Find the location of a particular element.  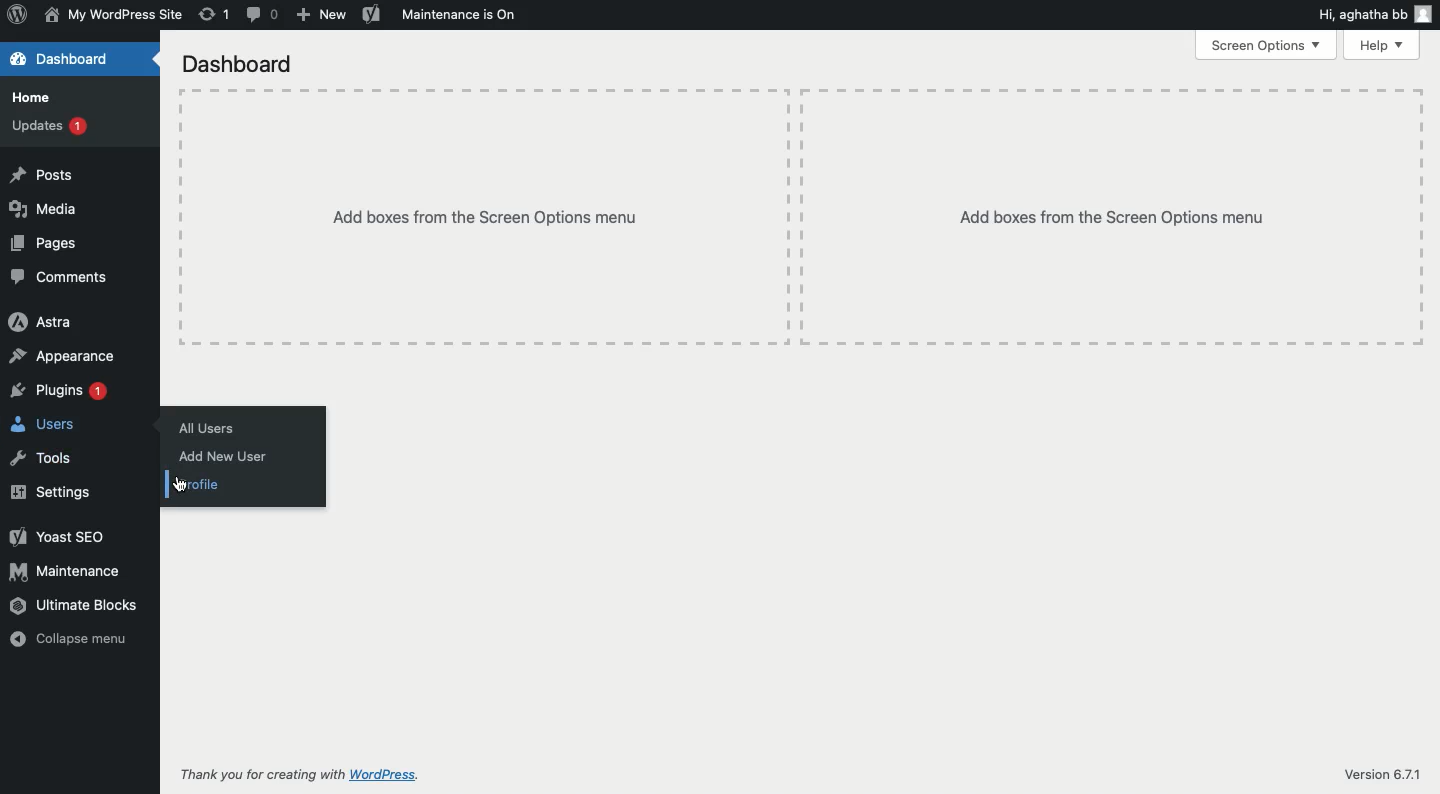

cursor is located at coordinates (180, 486).